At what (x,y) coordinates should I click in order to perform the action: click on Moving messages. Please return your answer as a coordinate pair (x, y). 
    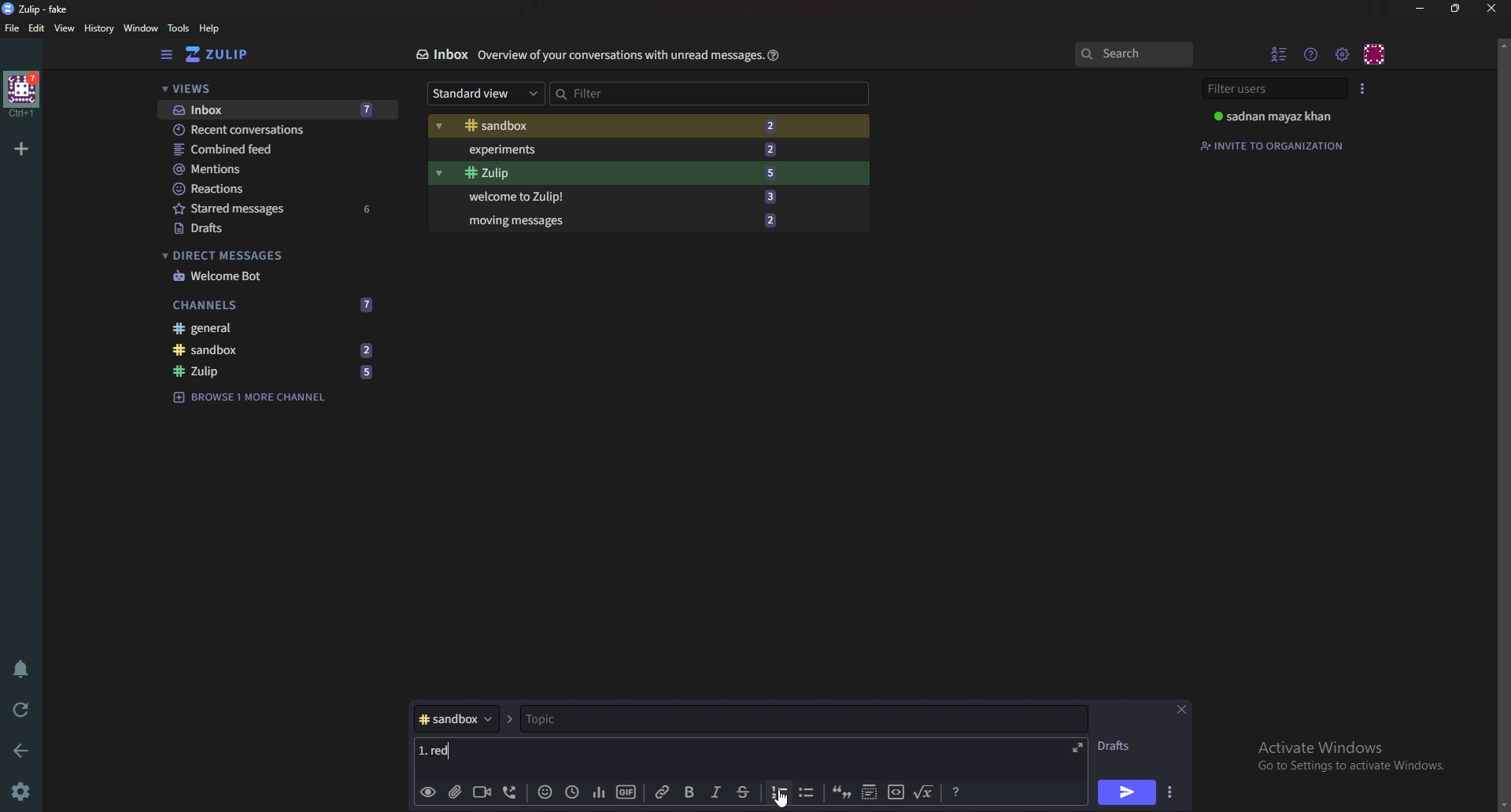
    Looking at the image, I should click on (620, 220).